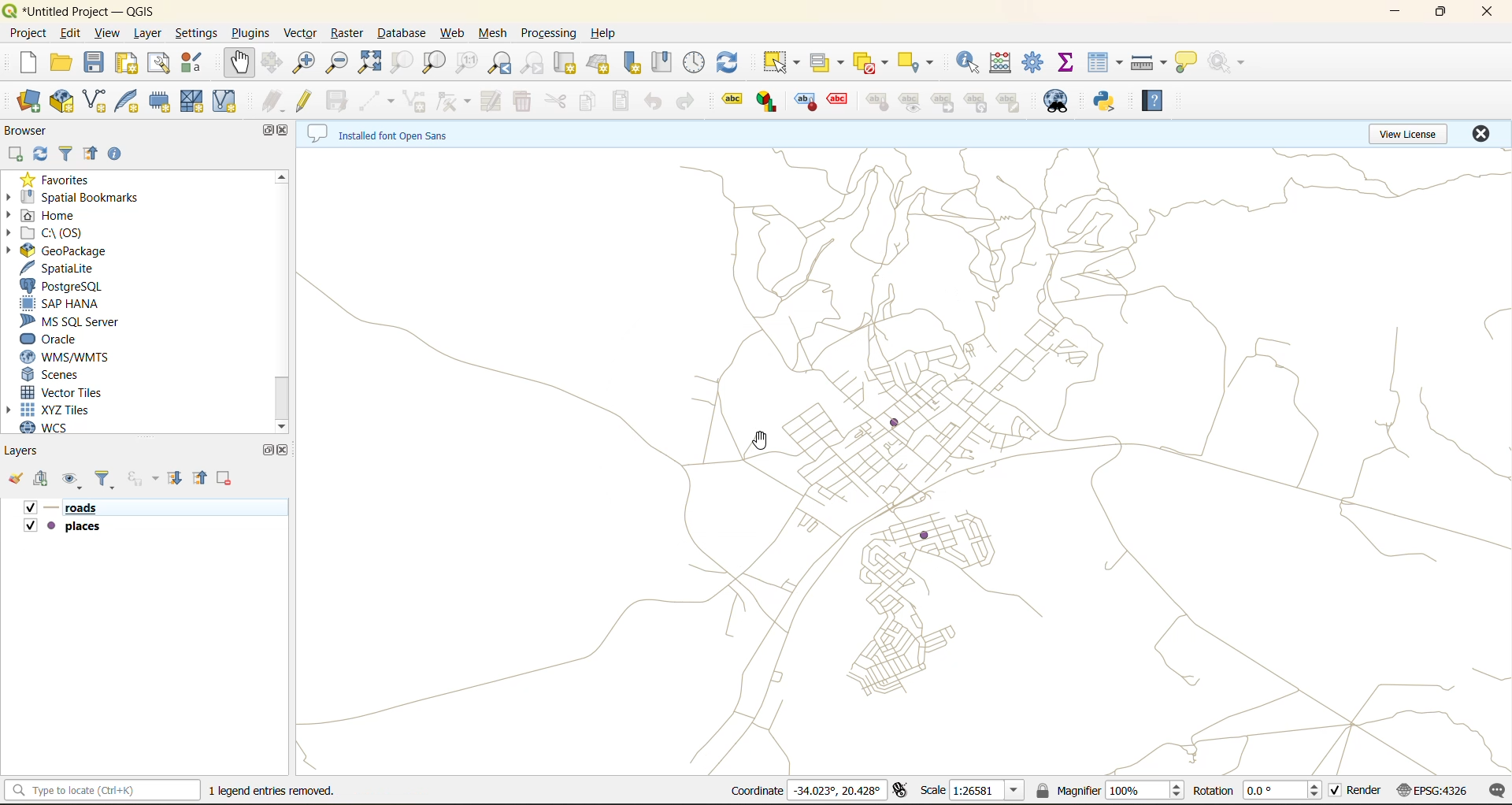  Describe the element at coordinates (967, 67) in the screenshot. I see `indentify features` at that location.